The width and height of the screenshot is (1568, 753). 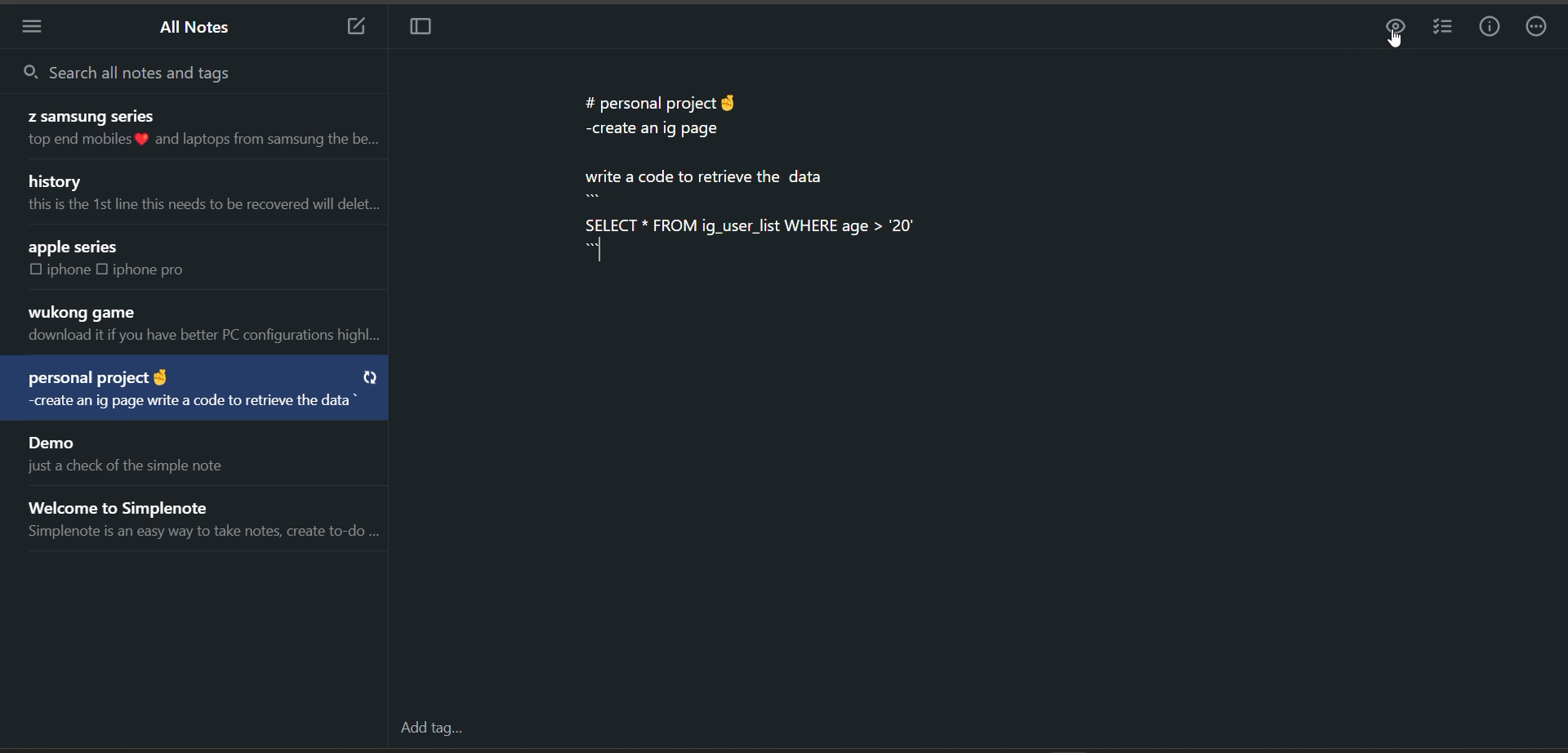 What do you see at coordinates (1392, 28) in the screenshot?
I see `preview` at bounding box center [1392, 28].